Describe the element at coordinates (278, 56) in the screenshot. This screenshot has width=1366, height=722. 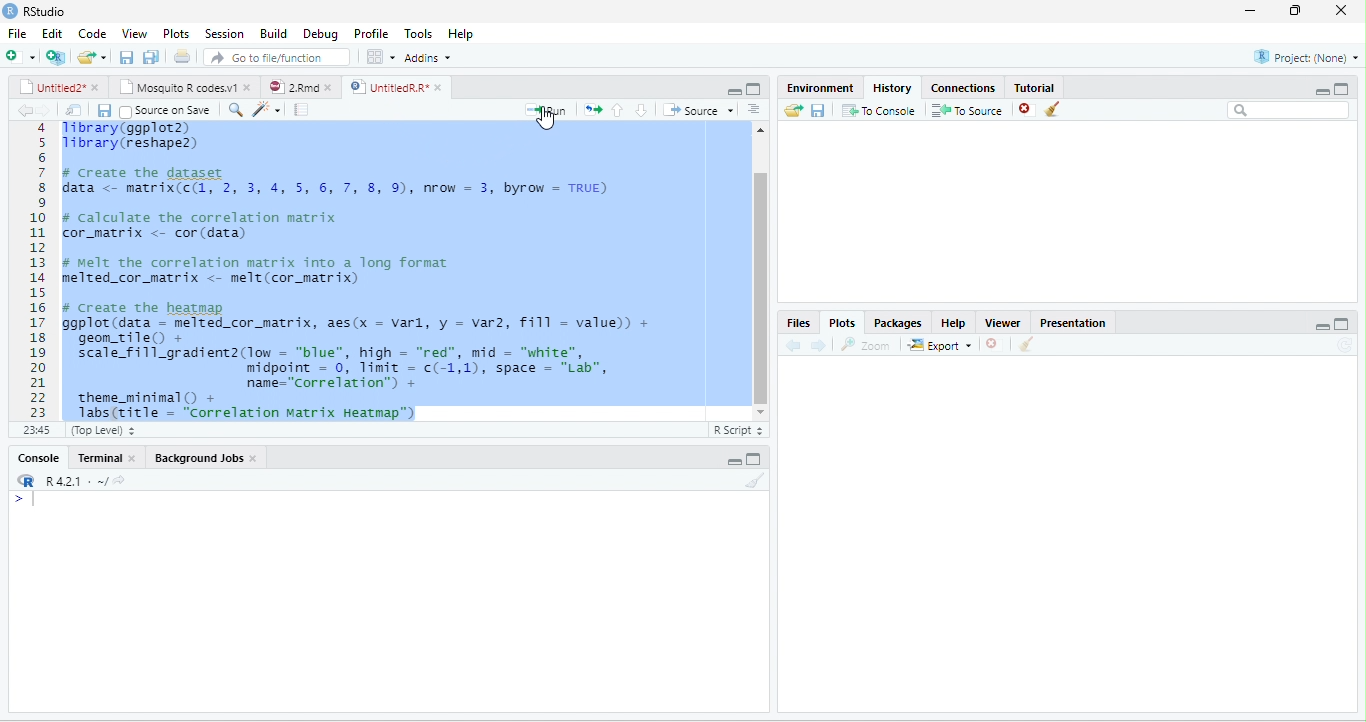
I see `go to file` at that location.